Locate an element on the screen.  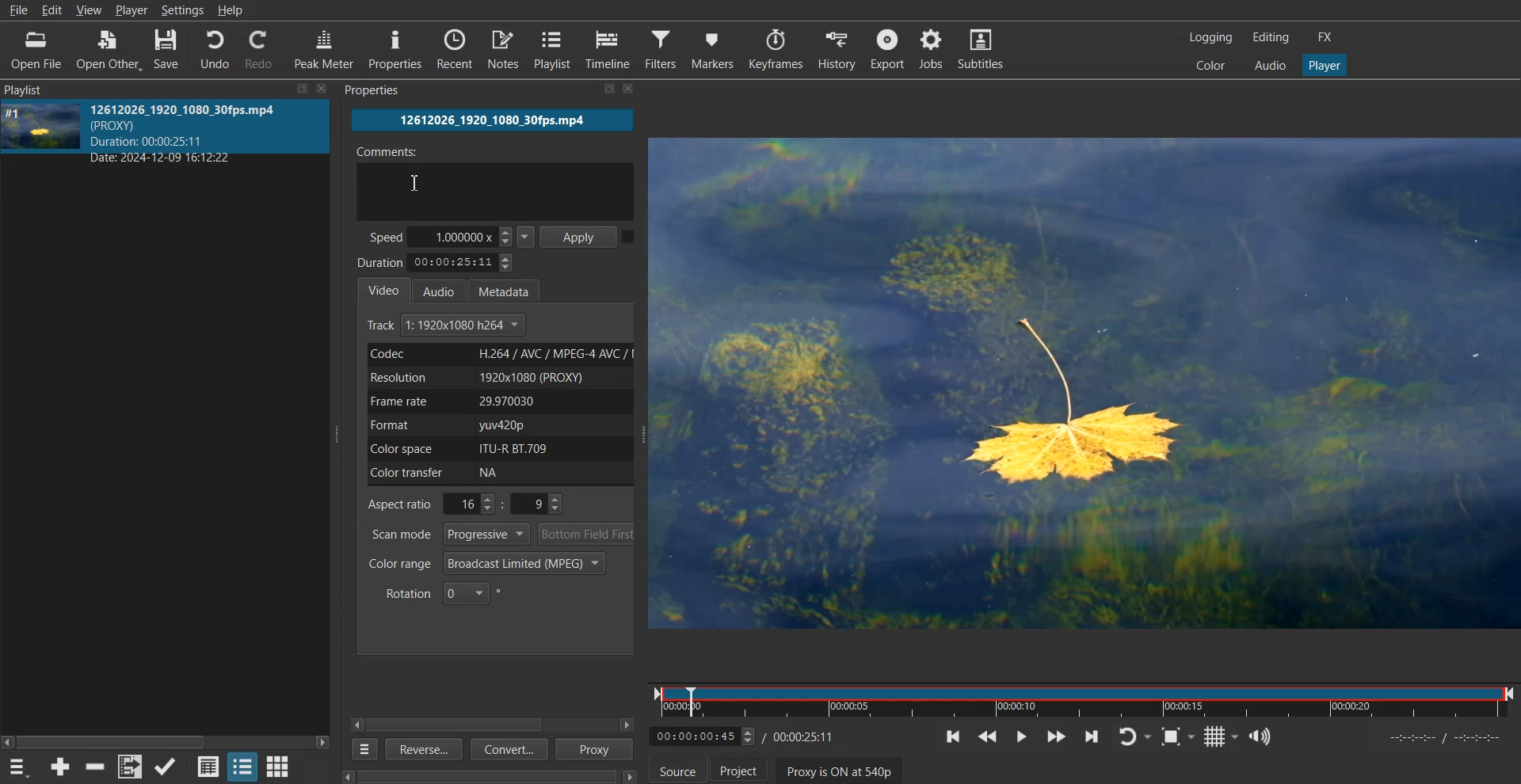
Jobs is located at coordinates (934, 48).